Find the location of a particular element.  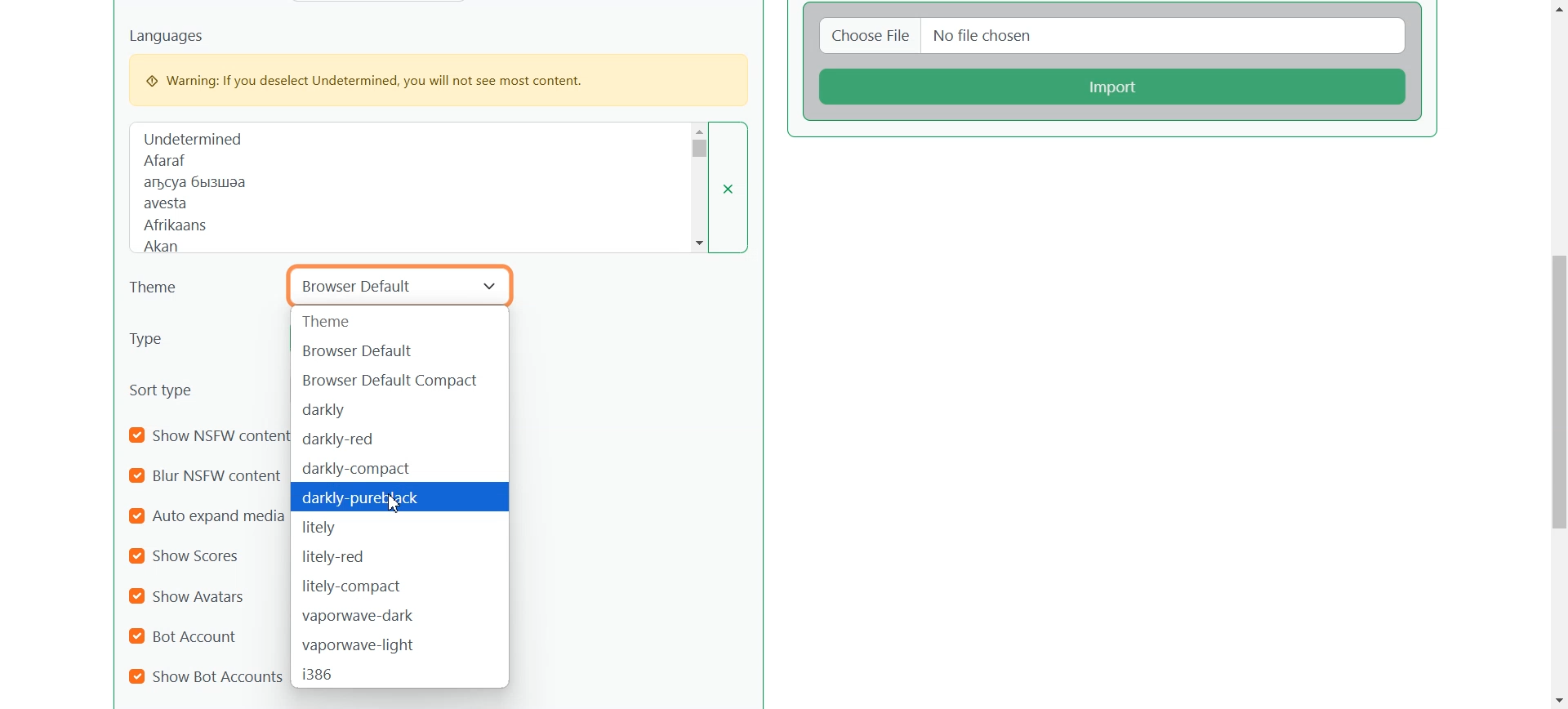

Choose File is located at coordinates (866, 35).